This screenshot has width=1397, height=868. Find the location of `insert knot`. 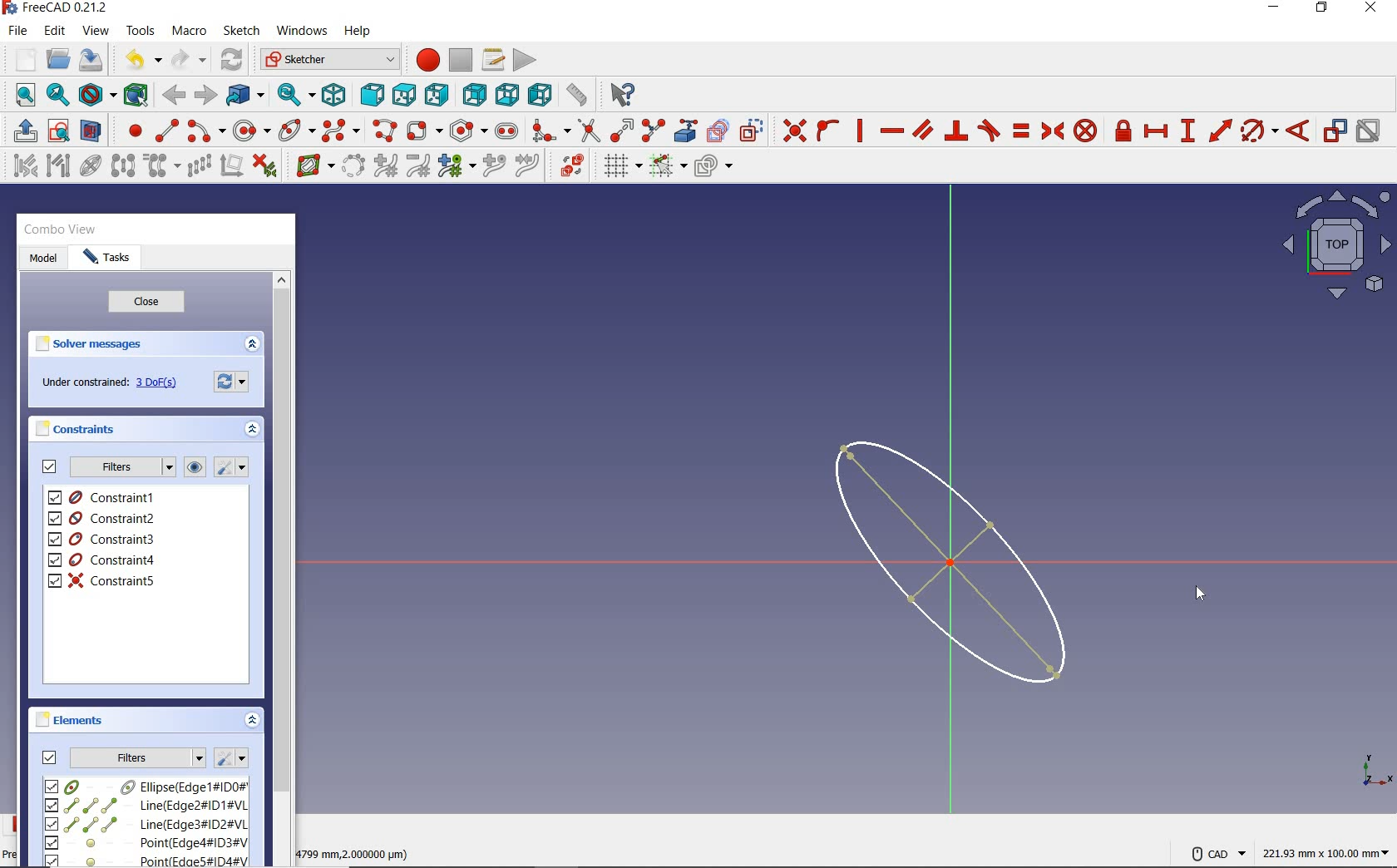

insert knot is located at coordinates (495, 166).